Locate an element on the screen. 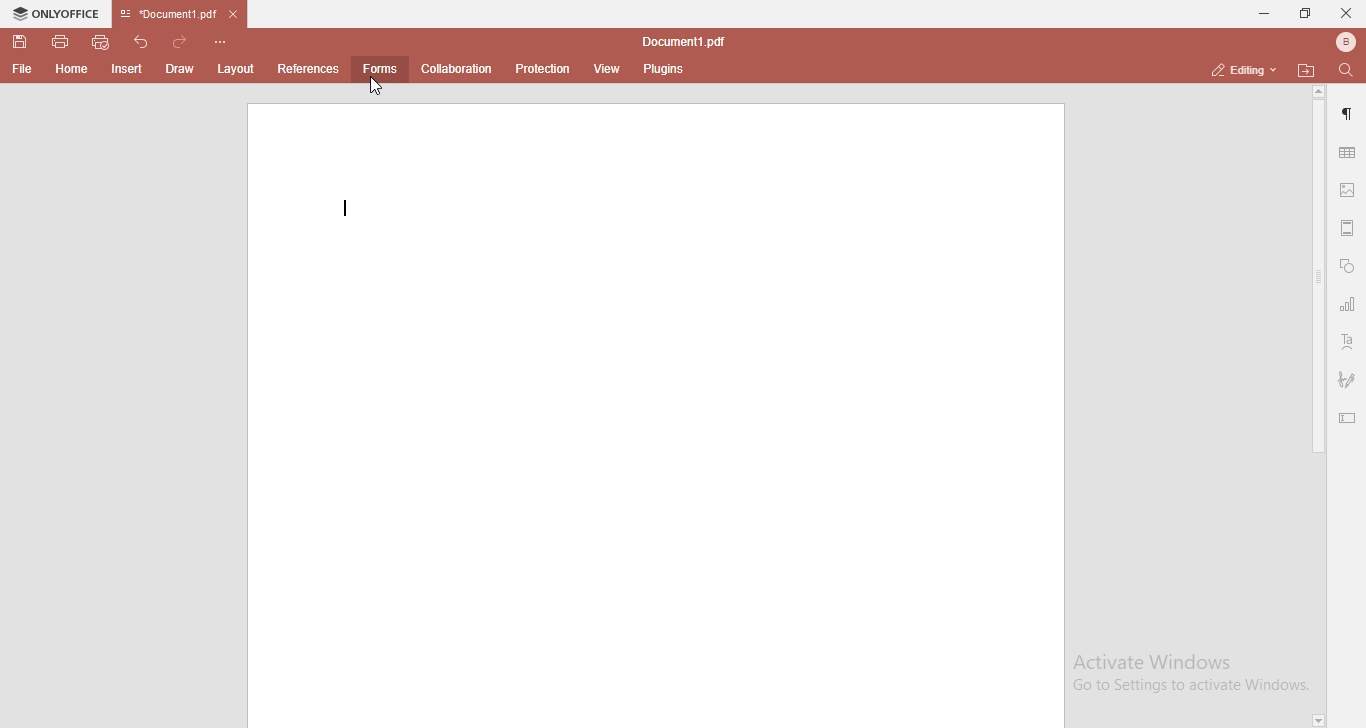 The image size is (1366, 728). bluetooth is located at coordinates (1340, 42).